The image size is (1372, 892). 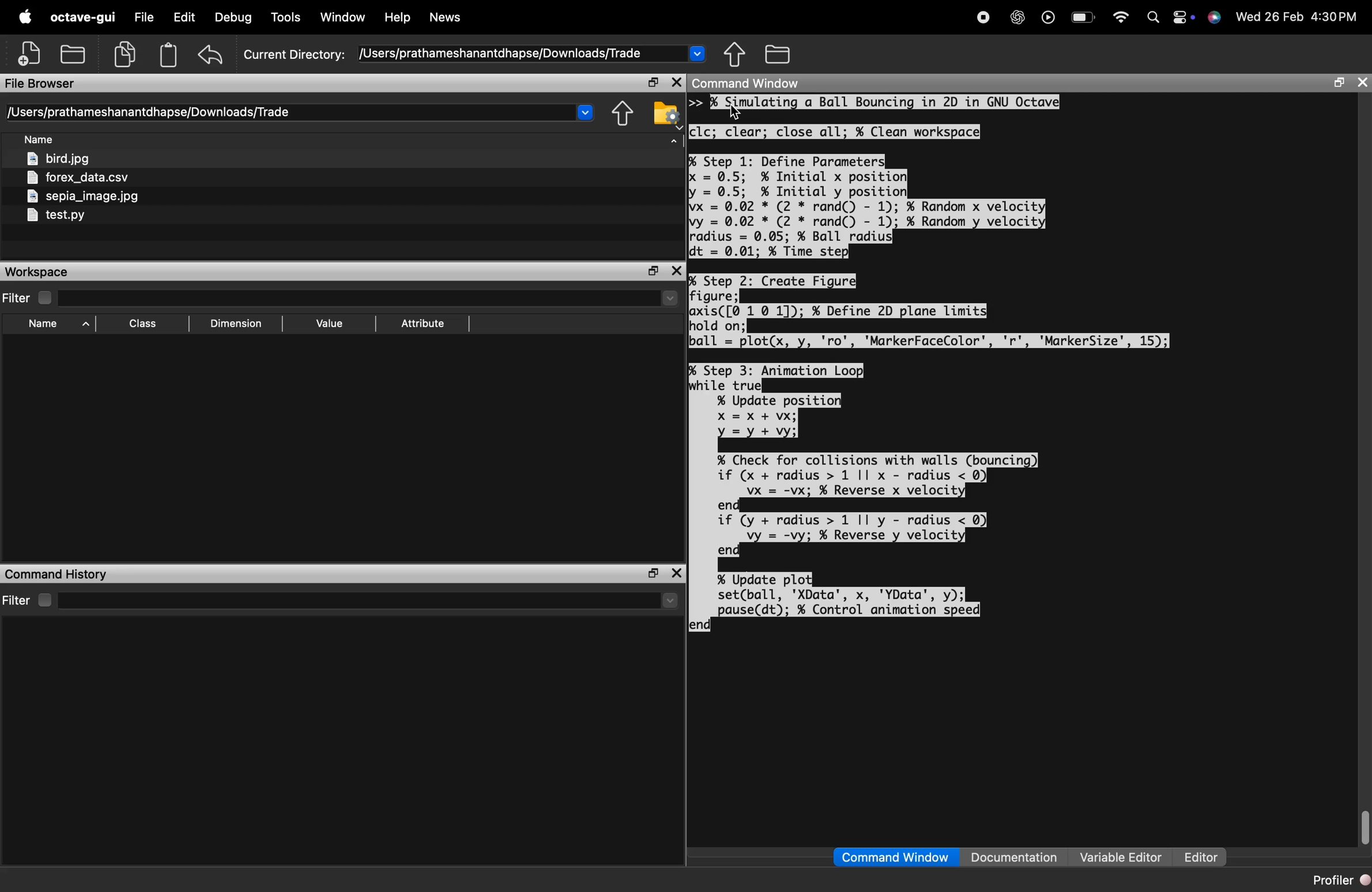 What do you see at coordinates (84, 196) in the screenshot?
I see ` sepia_image.jpg` at bounding box center [84, 196].